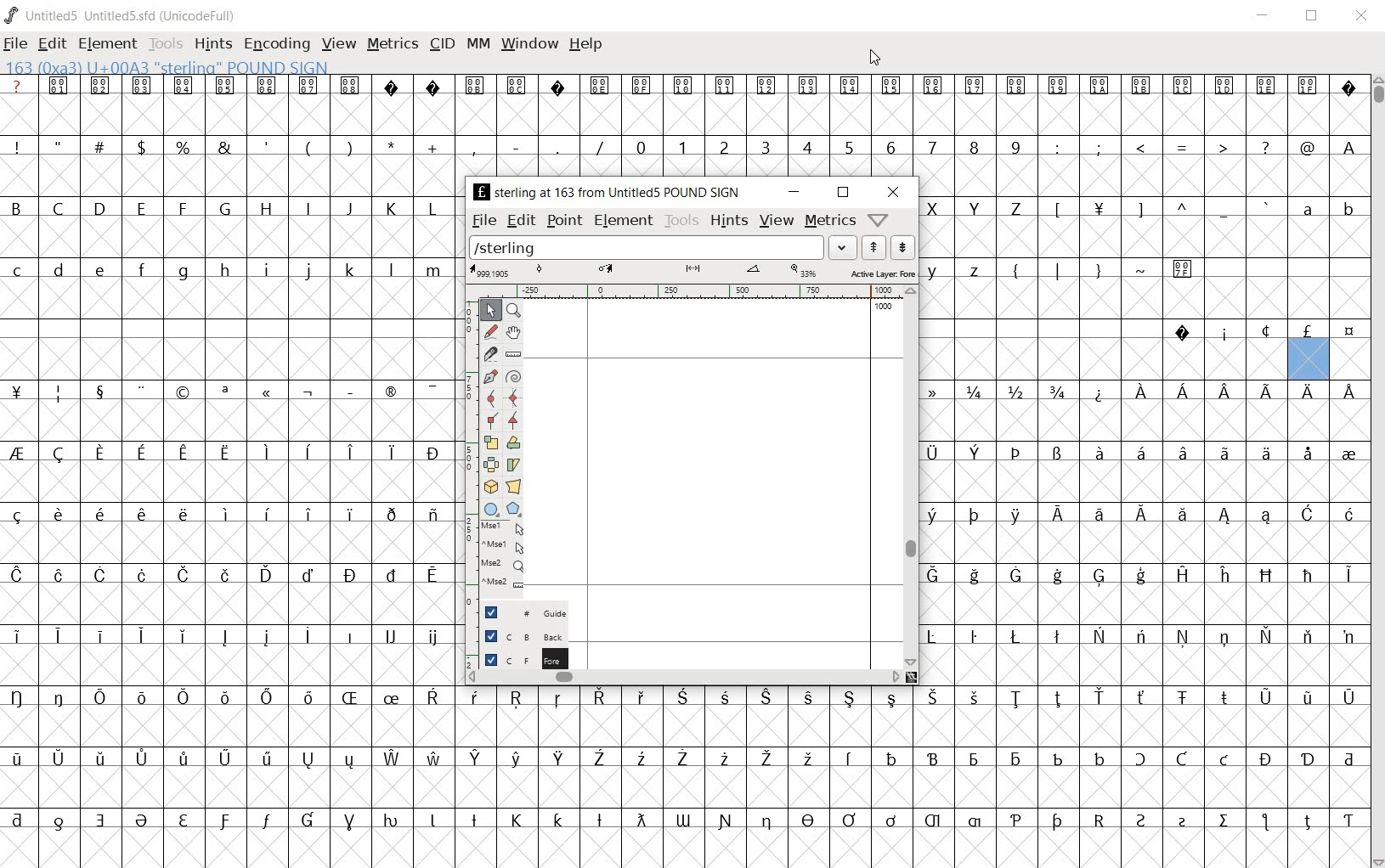 The width and height of the screenshot is (1385, 868). Describe the element at coordinates (1058, 638) in the screenshot. I see `Symbol` at that location.